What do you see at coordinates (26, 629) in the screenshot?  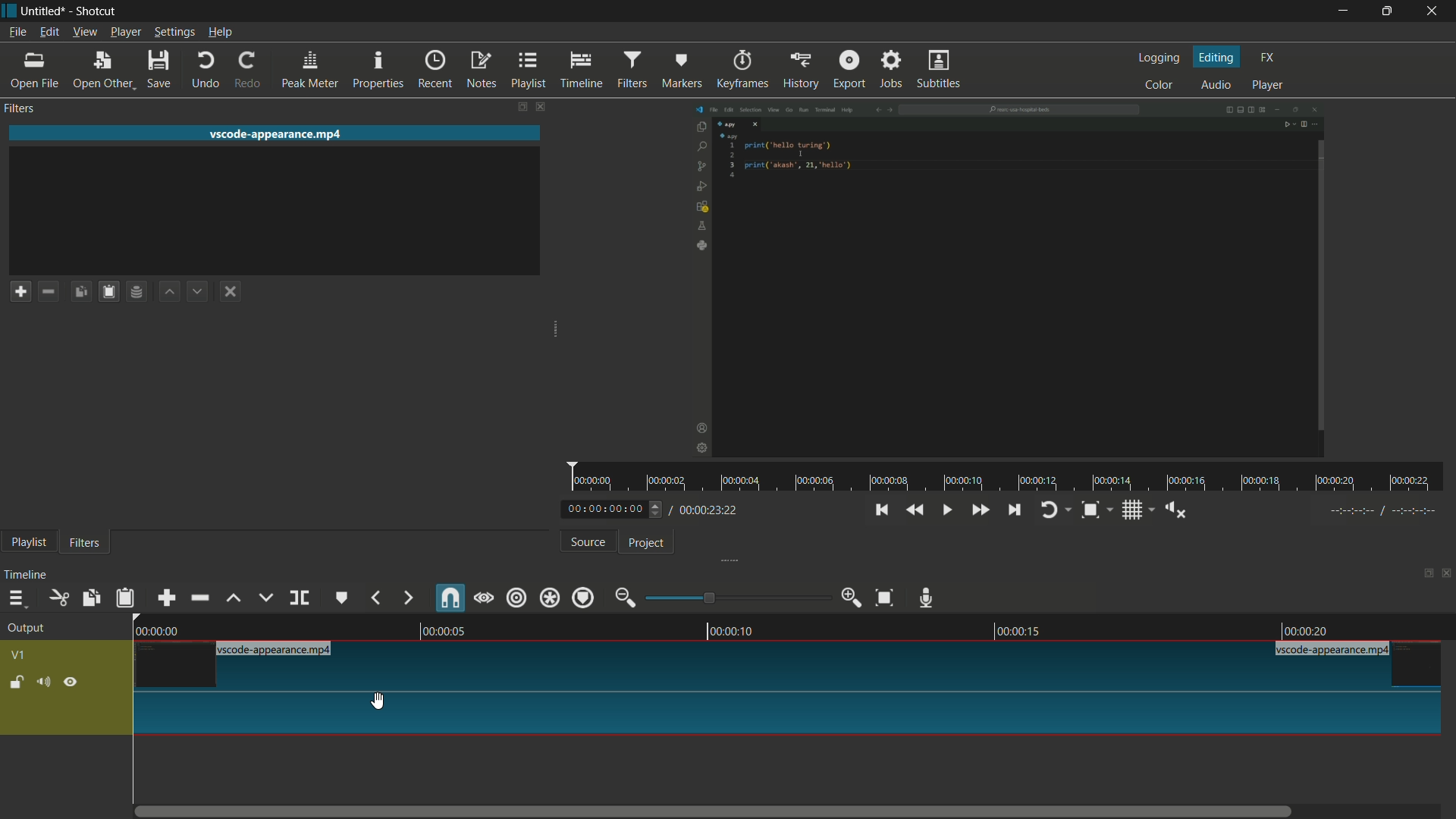 I see `output` at bounding box center [26, 629].